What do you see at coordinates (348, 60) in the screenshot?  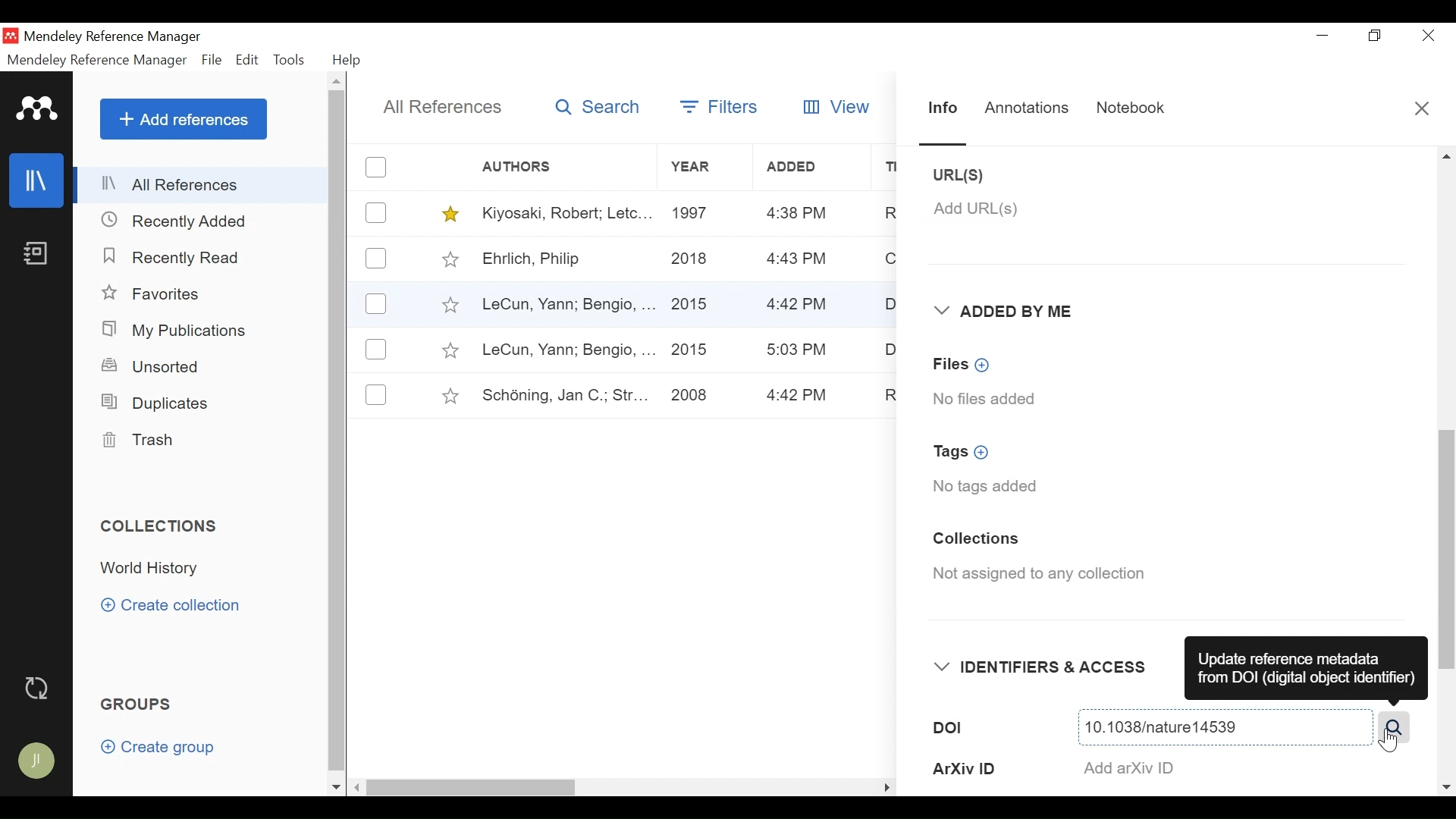 I see `Help` at bounding box center [348, 60].